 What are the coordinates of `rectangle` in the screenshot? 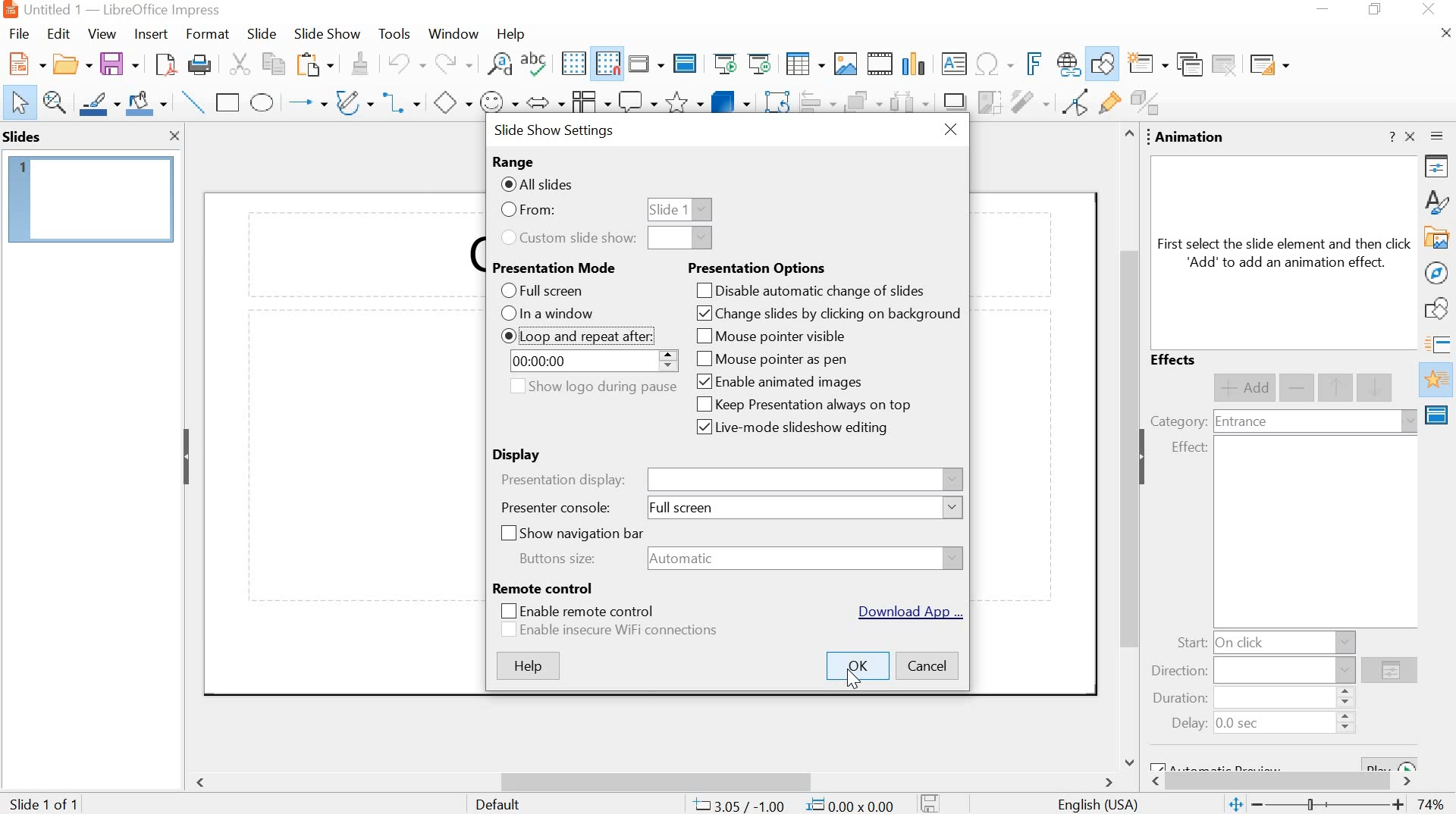 It's located at (228, 102).